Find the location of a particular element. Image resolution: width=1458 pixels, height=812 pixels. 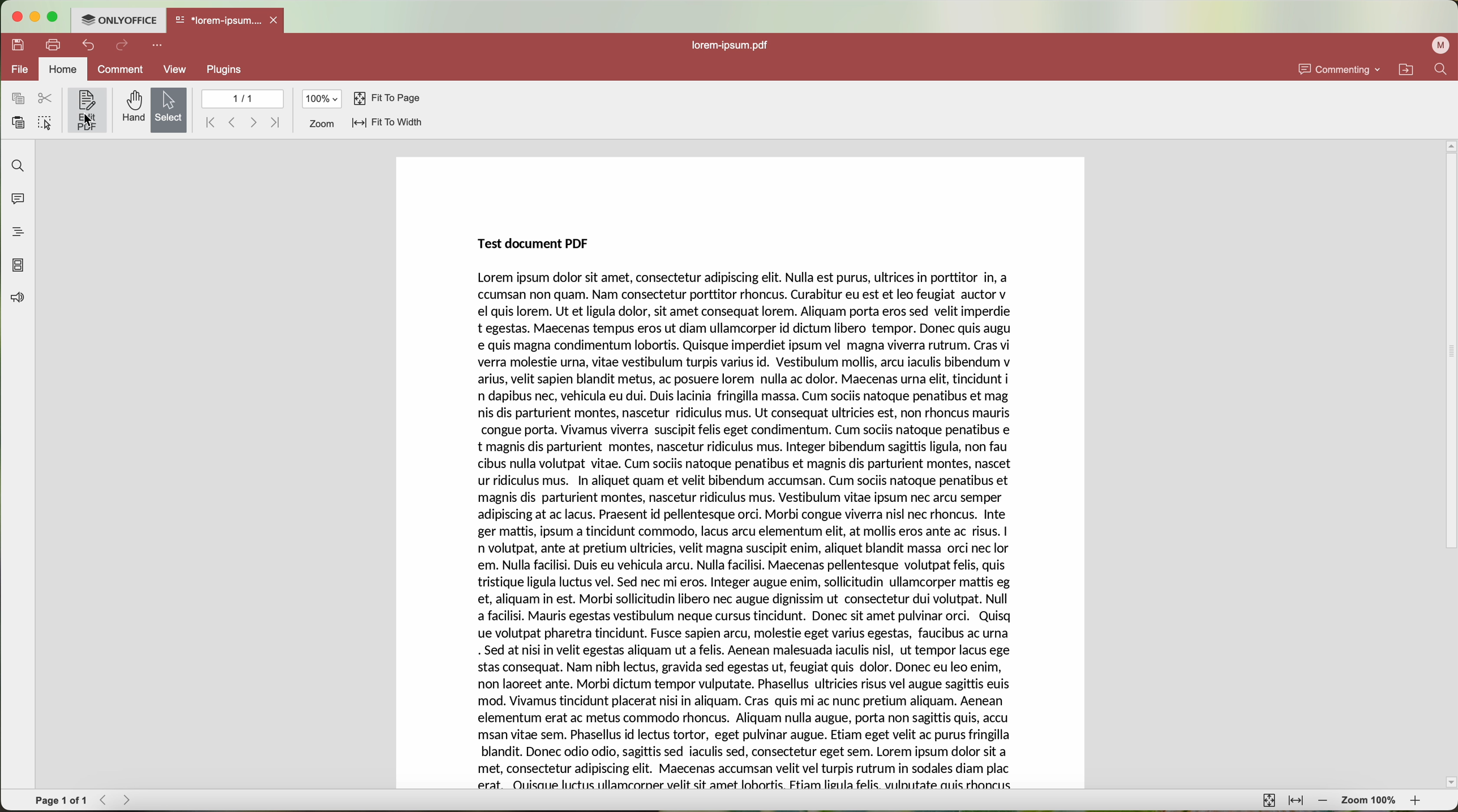

lorem-ipsum.pdf is located at coordinates (732, 45).